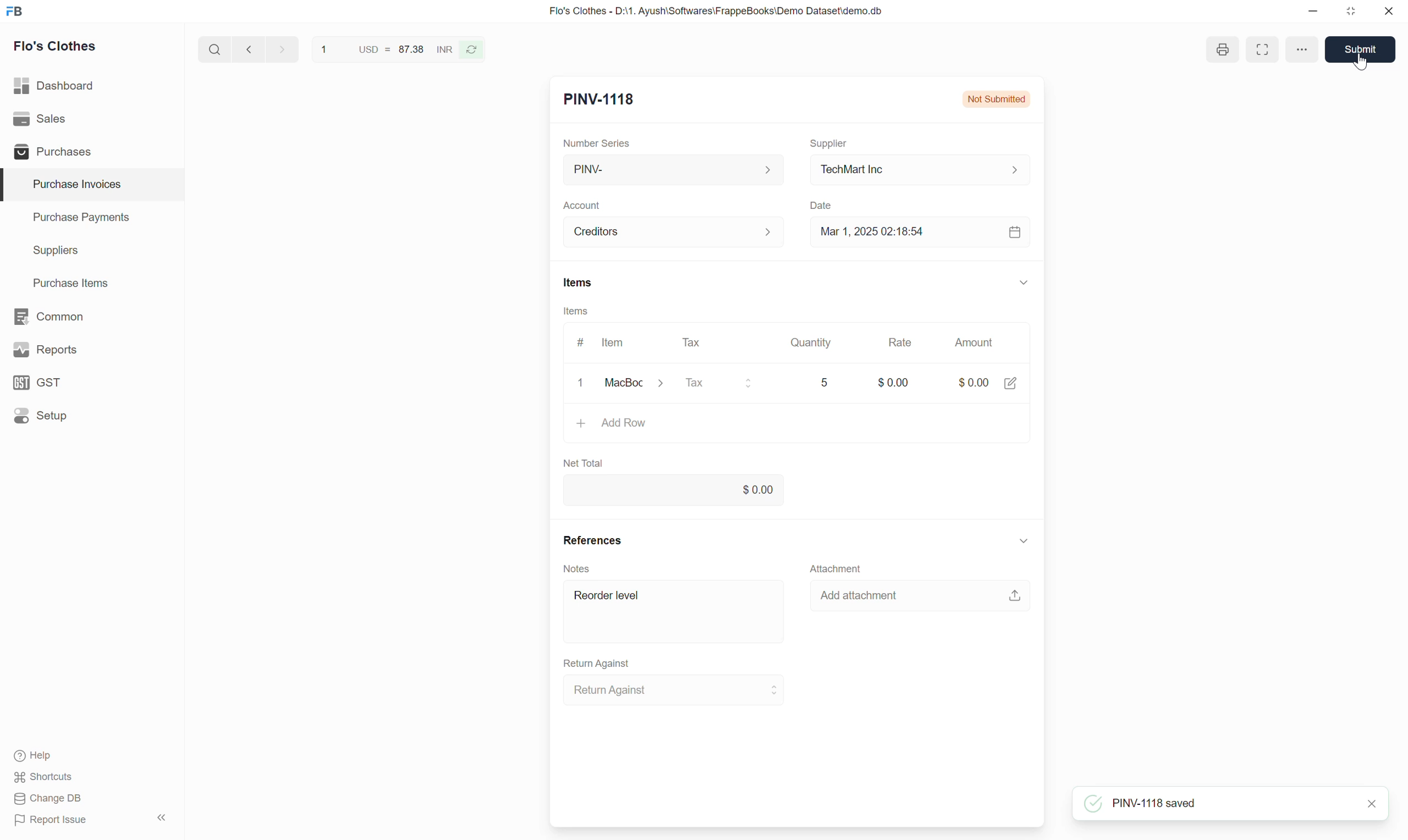 This screenshot has width=1408, height=840. Describe the element at coordinates (1313, 11) in the screenshot. I see `Minimize` at that location.